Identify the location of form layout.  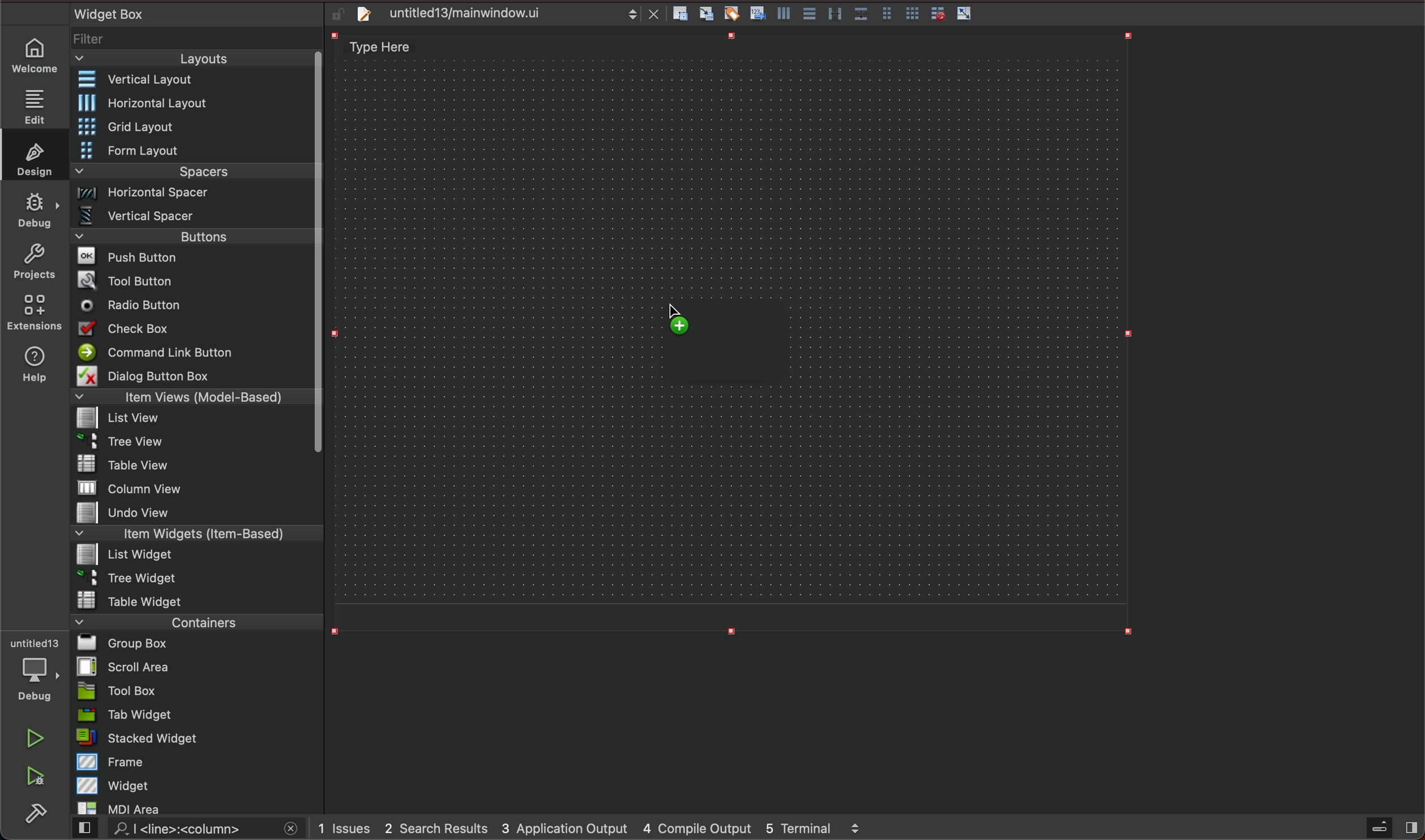
(193, 149).